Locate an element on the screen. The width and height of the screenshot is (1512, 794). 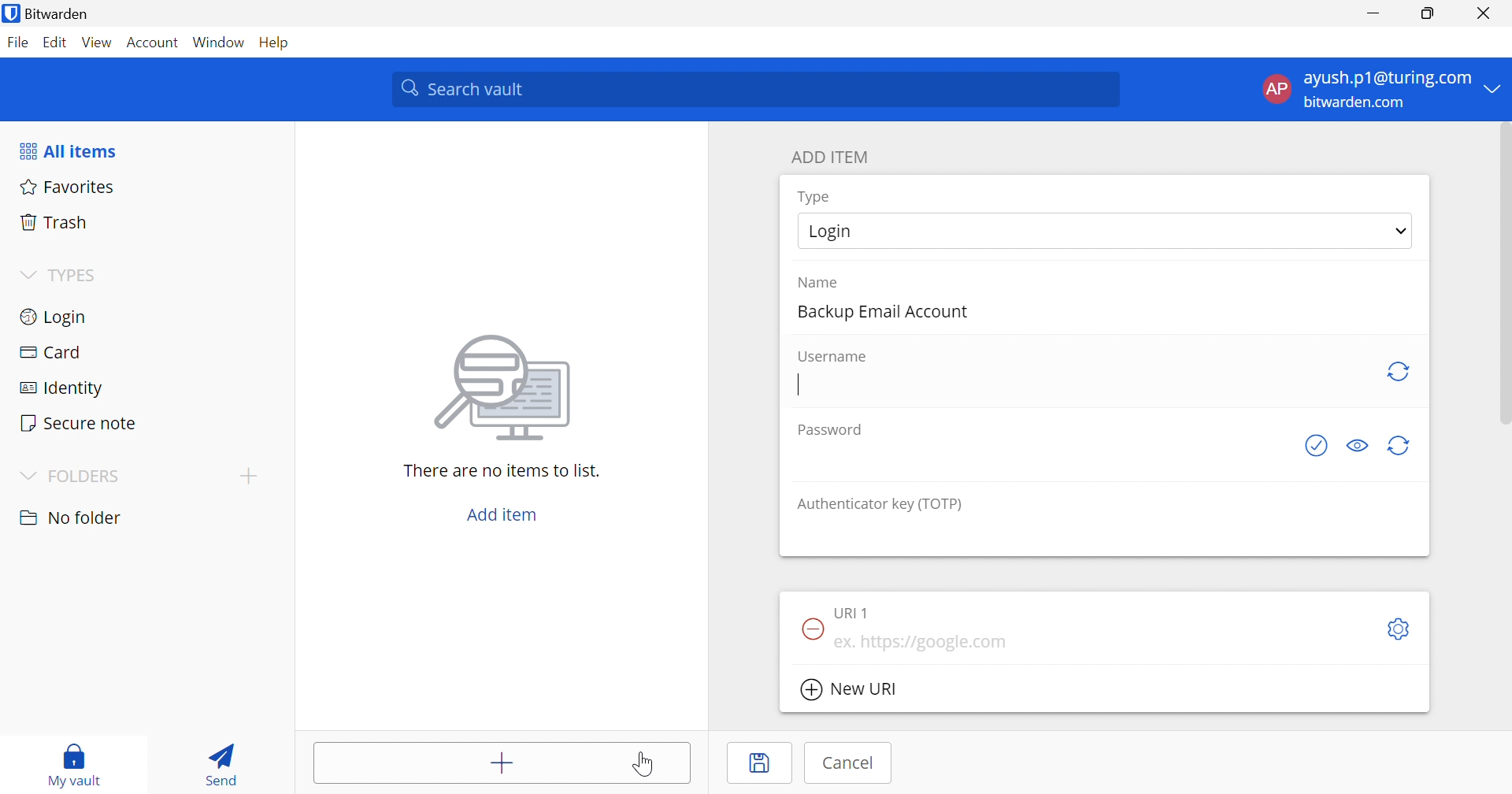
My vault is located at coordinates (74, 766).